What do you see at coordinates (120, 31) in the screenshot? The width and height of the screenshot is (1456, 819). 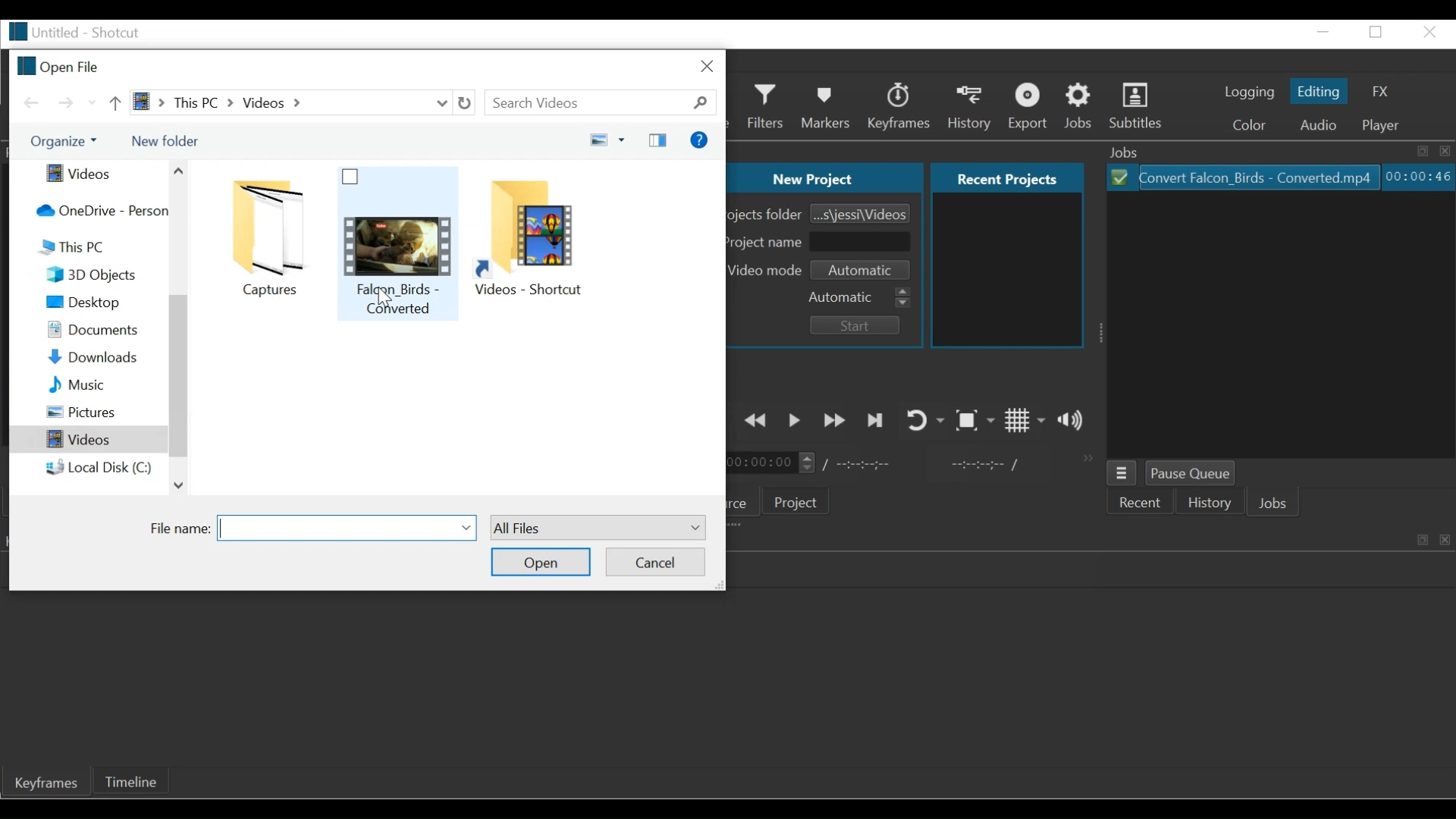 I see `Shotcut` at bounding box center [120, 31].